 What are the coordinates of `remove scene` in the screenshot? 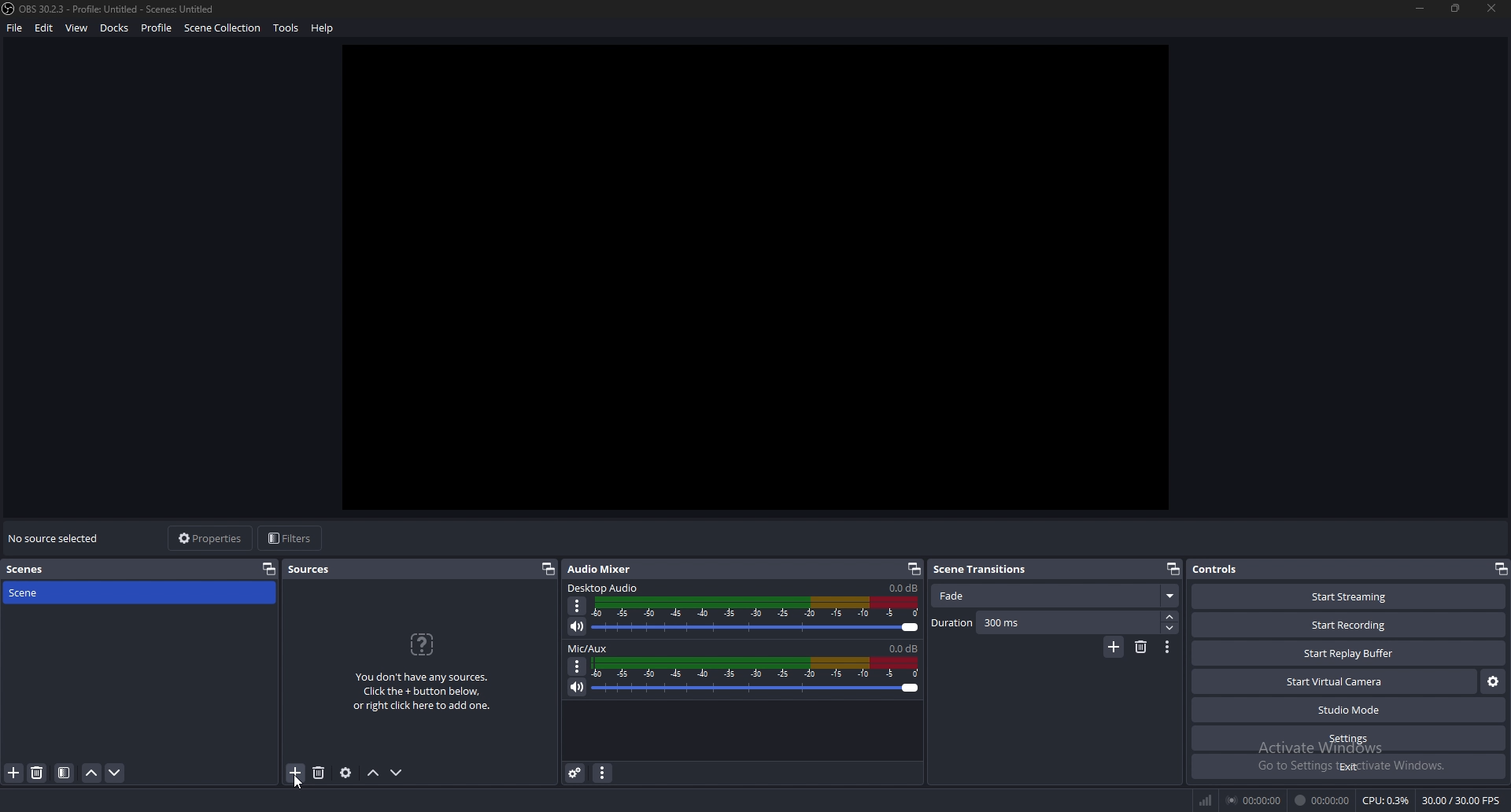 It's located at (38, 773).